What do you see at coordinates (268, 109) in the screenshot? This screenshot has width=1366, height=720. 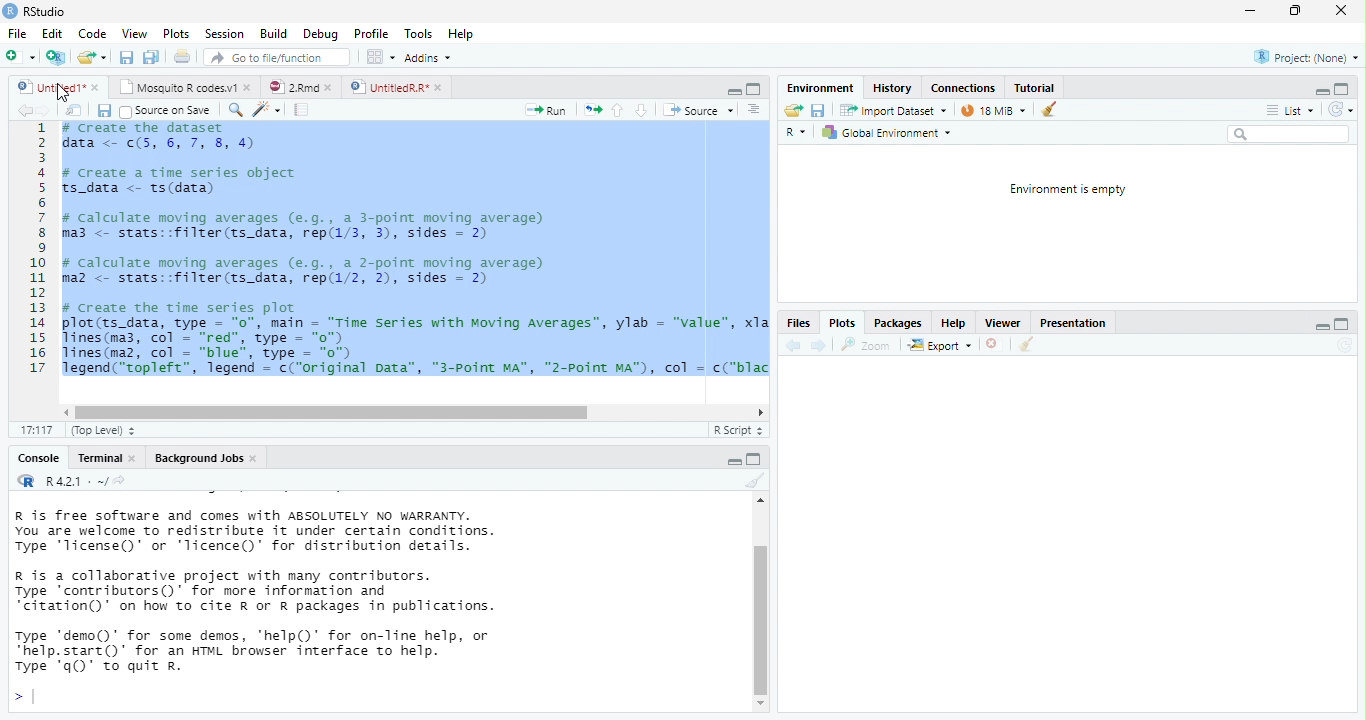 I see `code tool` at bounding box center [268, 109].